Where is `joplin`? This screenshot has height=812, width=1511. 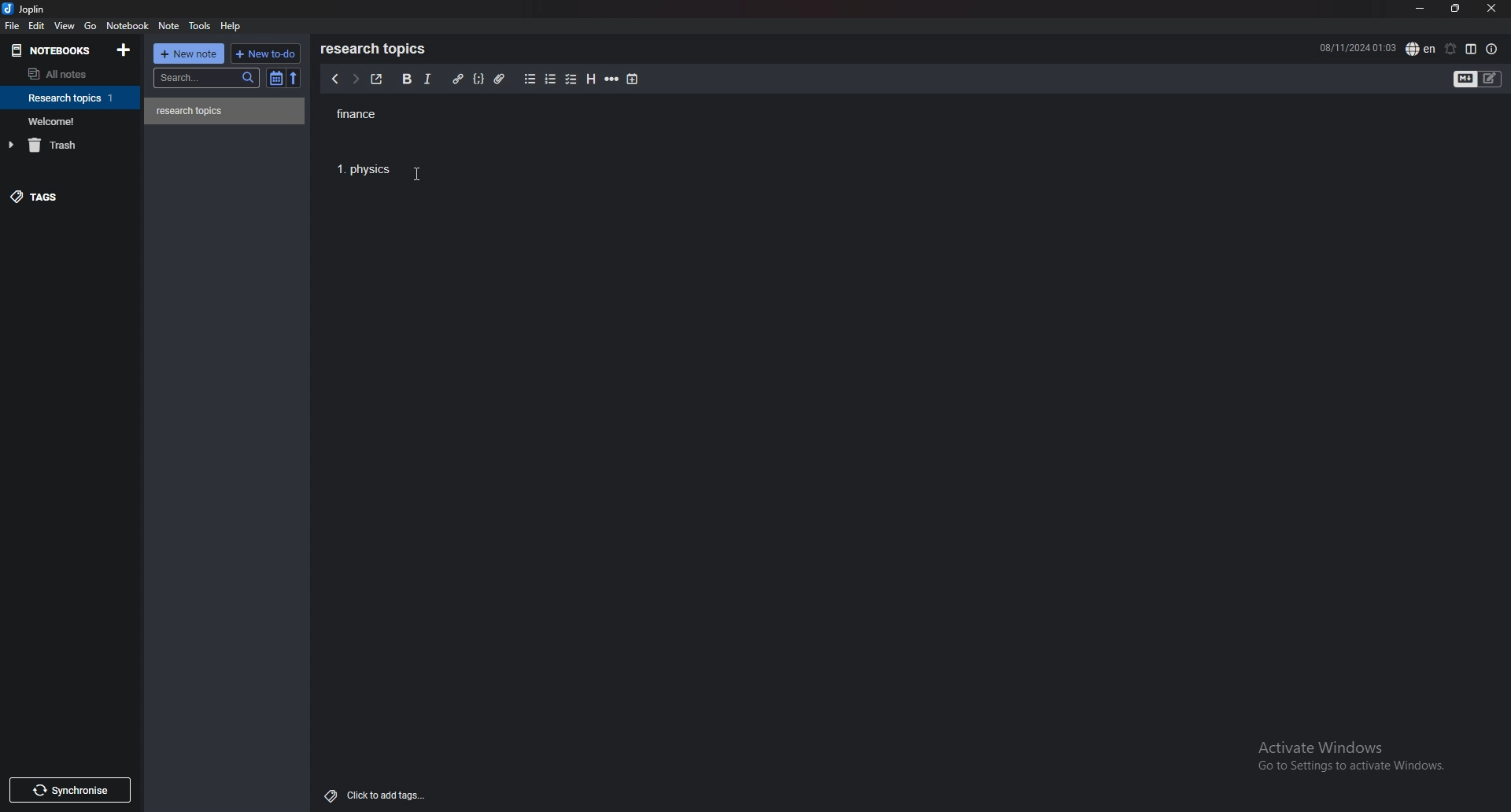
joplin is located at coordinates (25, 10).